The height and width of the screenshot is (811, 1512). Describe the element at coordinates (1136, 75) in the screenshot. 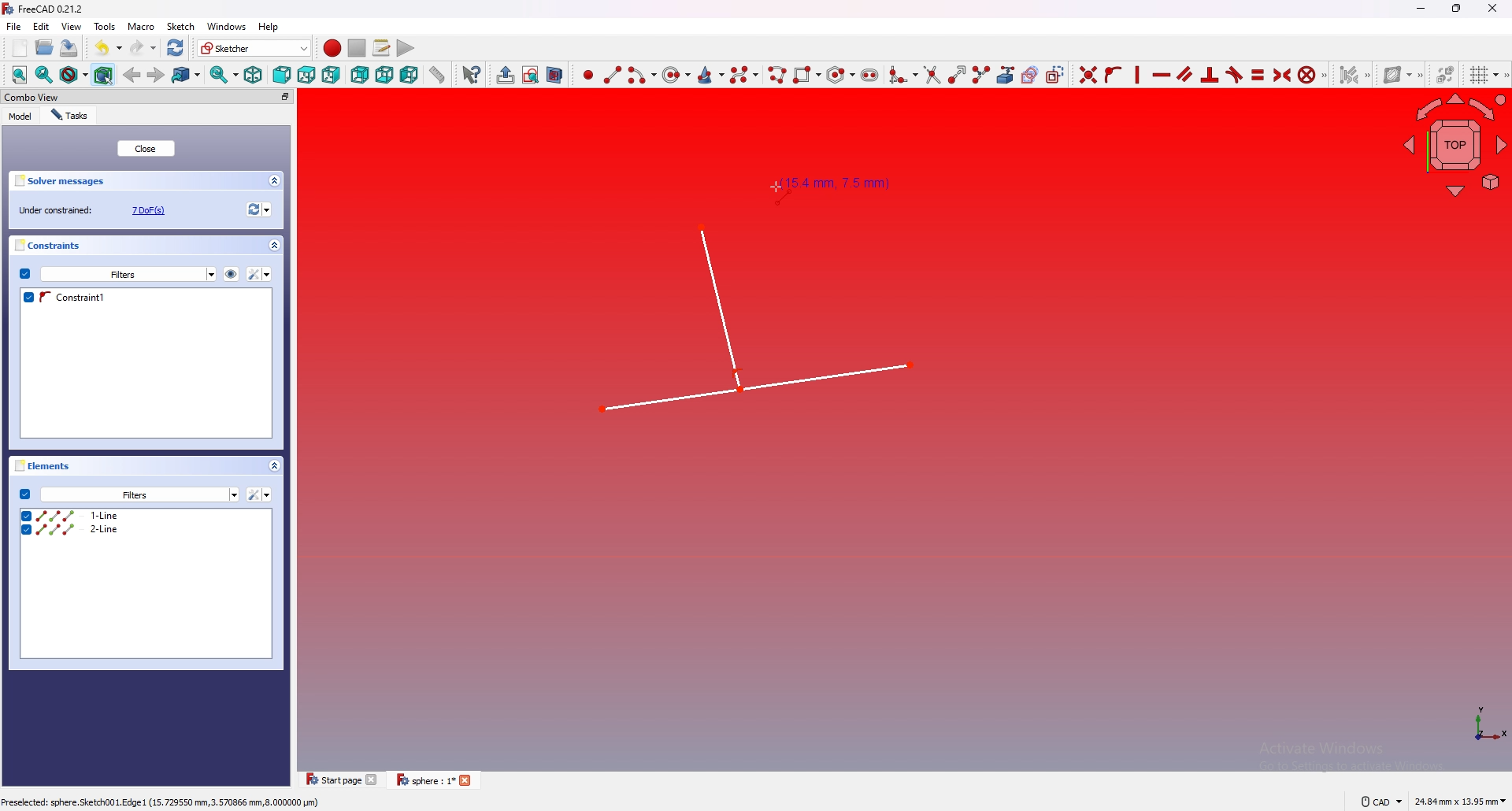

I see `Constrain vertically` at that location.